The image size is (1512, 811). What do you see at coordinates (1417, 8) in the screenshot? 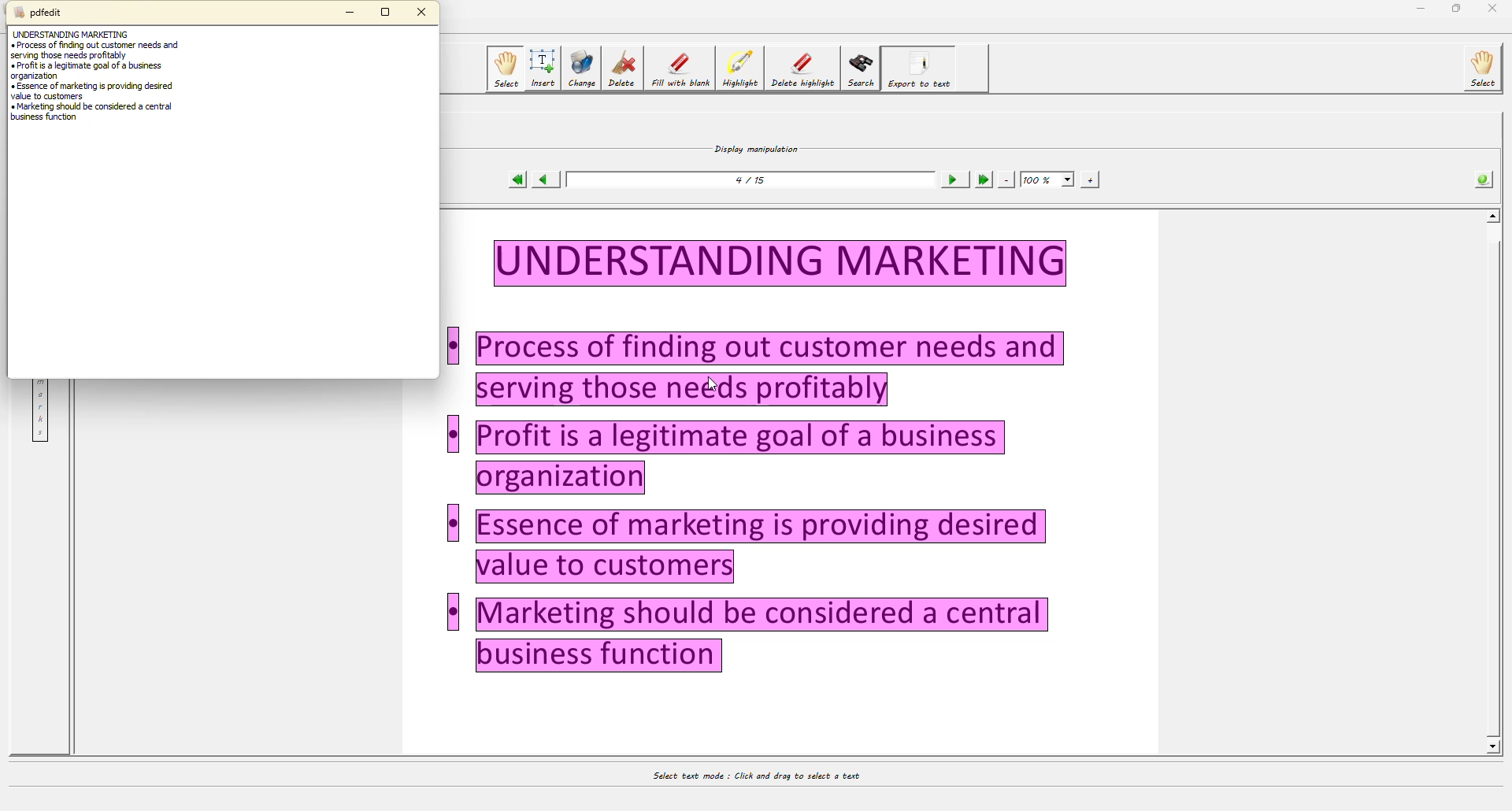
I see `minimize` at bounding box center [1417, 8].